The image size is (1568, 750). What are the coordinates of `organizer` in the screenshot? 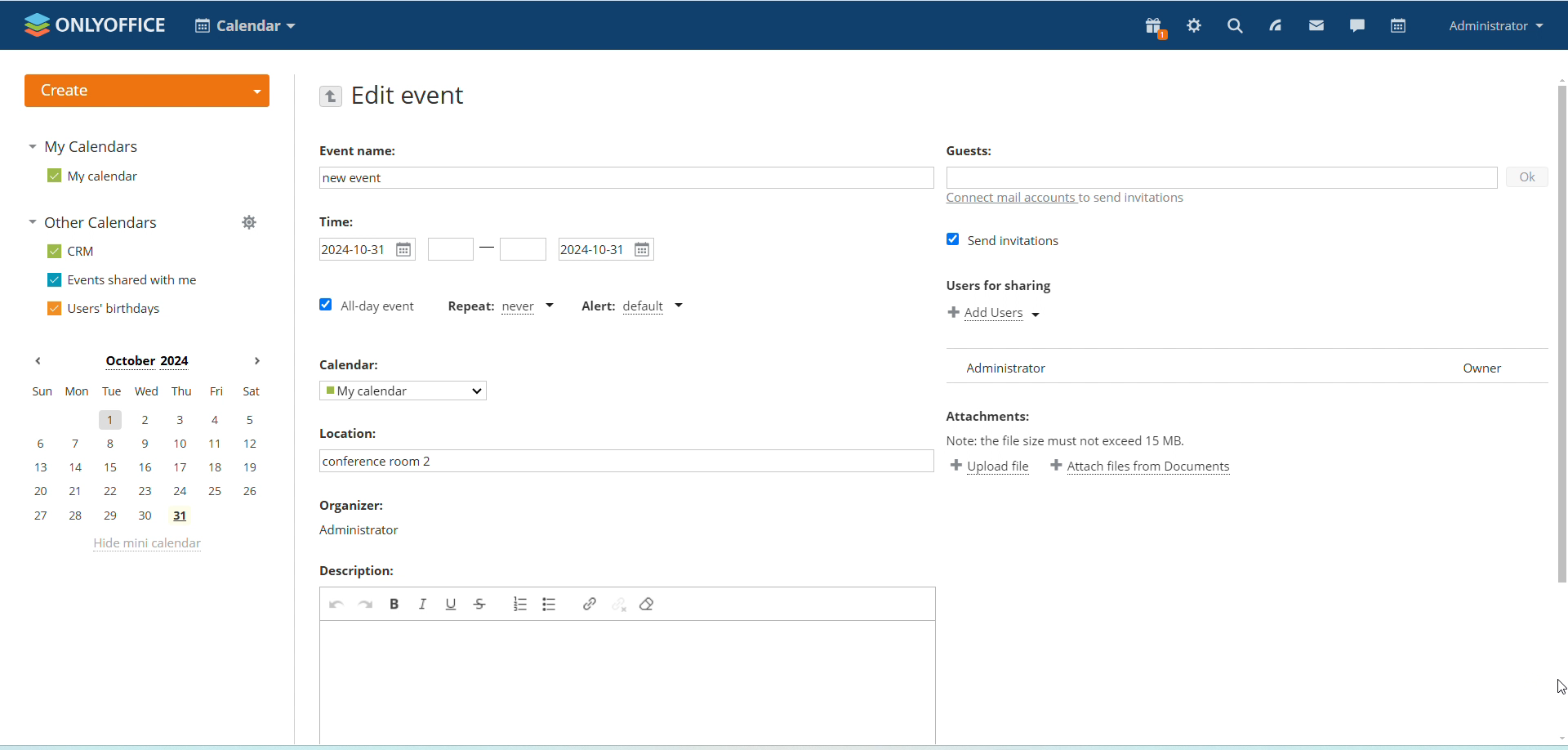 It's located at (360, 532).